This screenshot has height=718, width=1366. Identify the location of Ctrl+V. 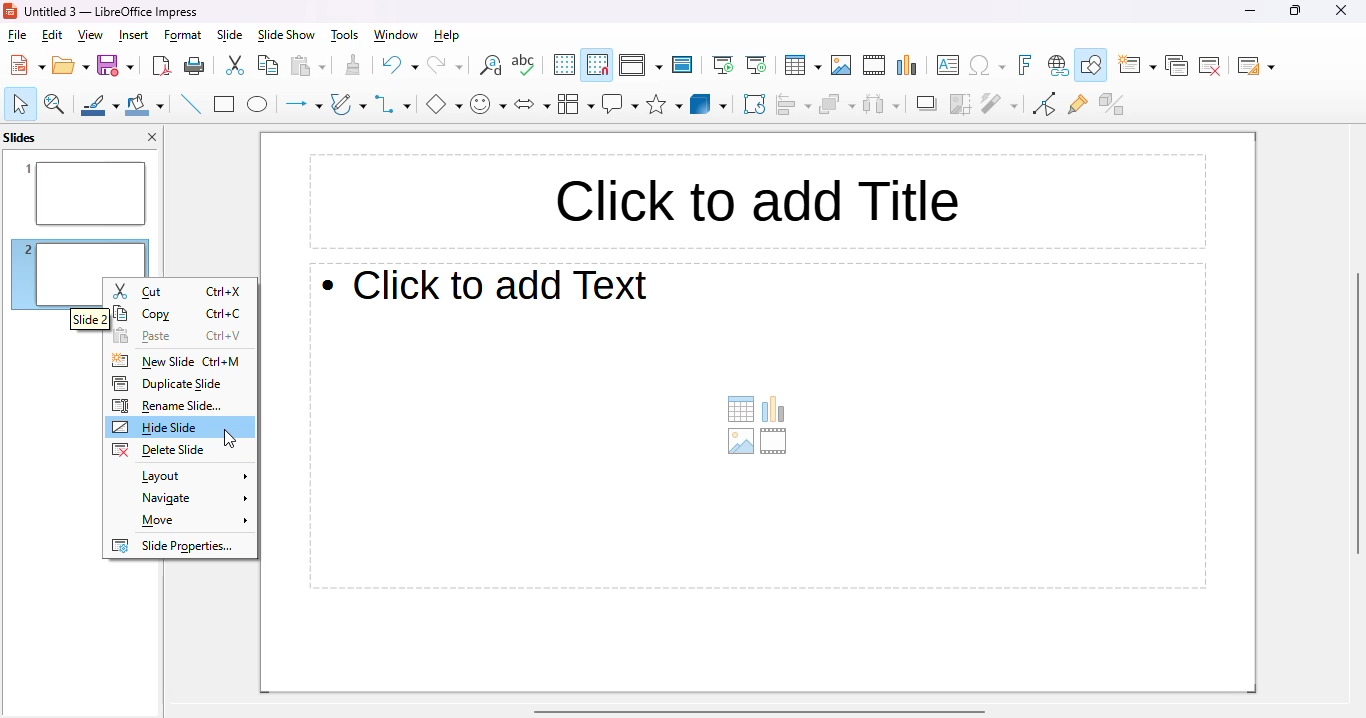
(224, 334).